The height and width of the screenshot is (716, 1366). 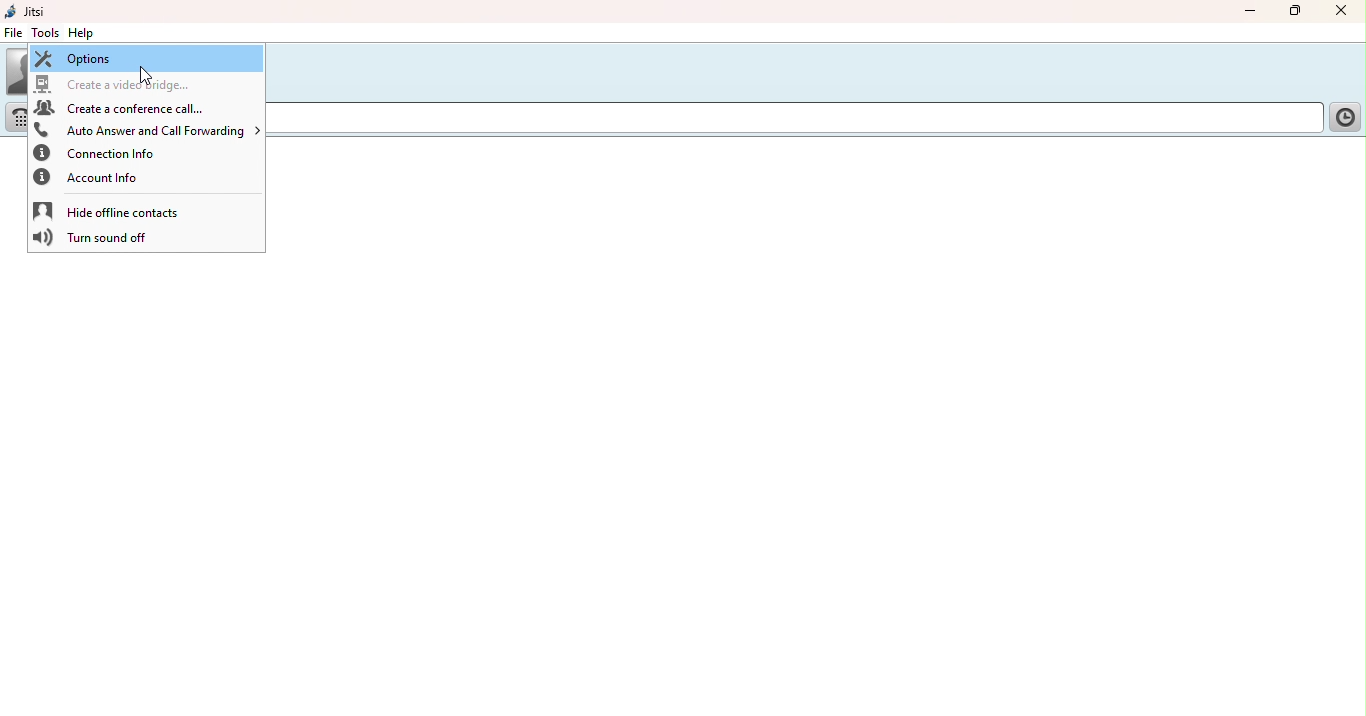 What do you see at coordinates (83, 34) in the screenshot?
I see `help` at bounding box center [83, 34].